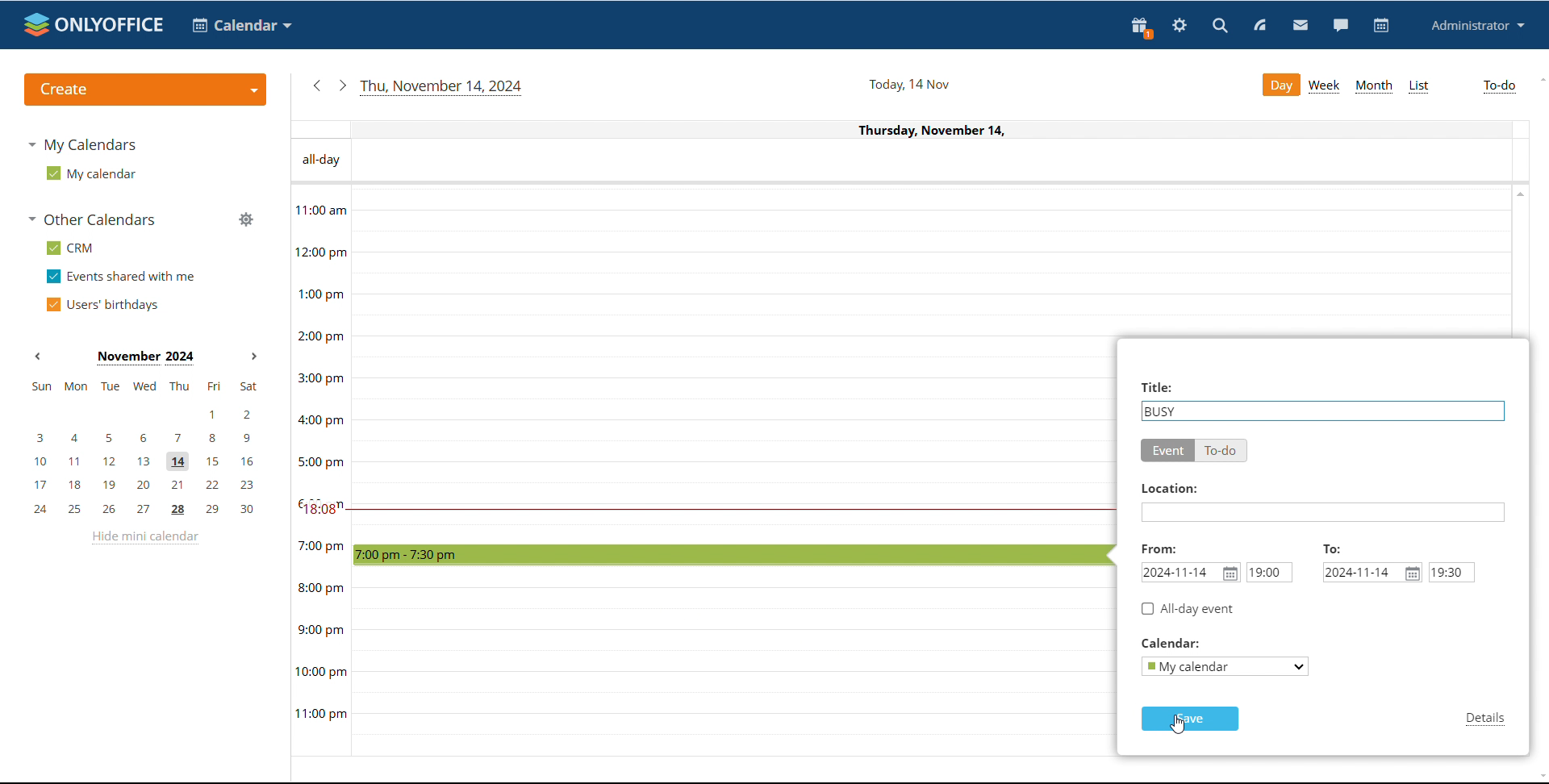  What do you see at coordinates (1171, 642) in the screenshot?
I see `Calendar` at bounding box center [1171, 642].